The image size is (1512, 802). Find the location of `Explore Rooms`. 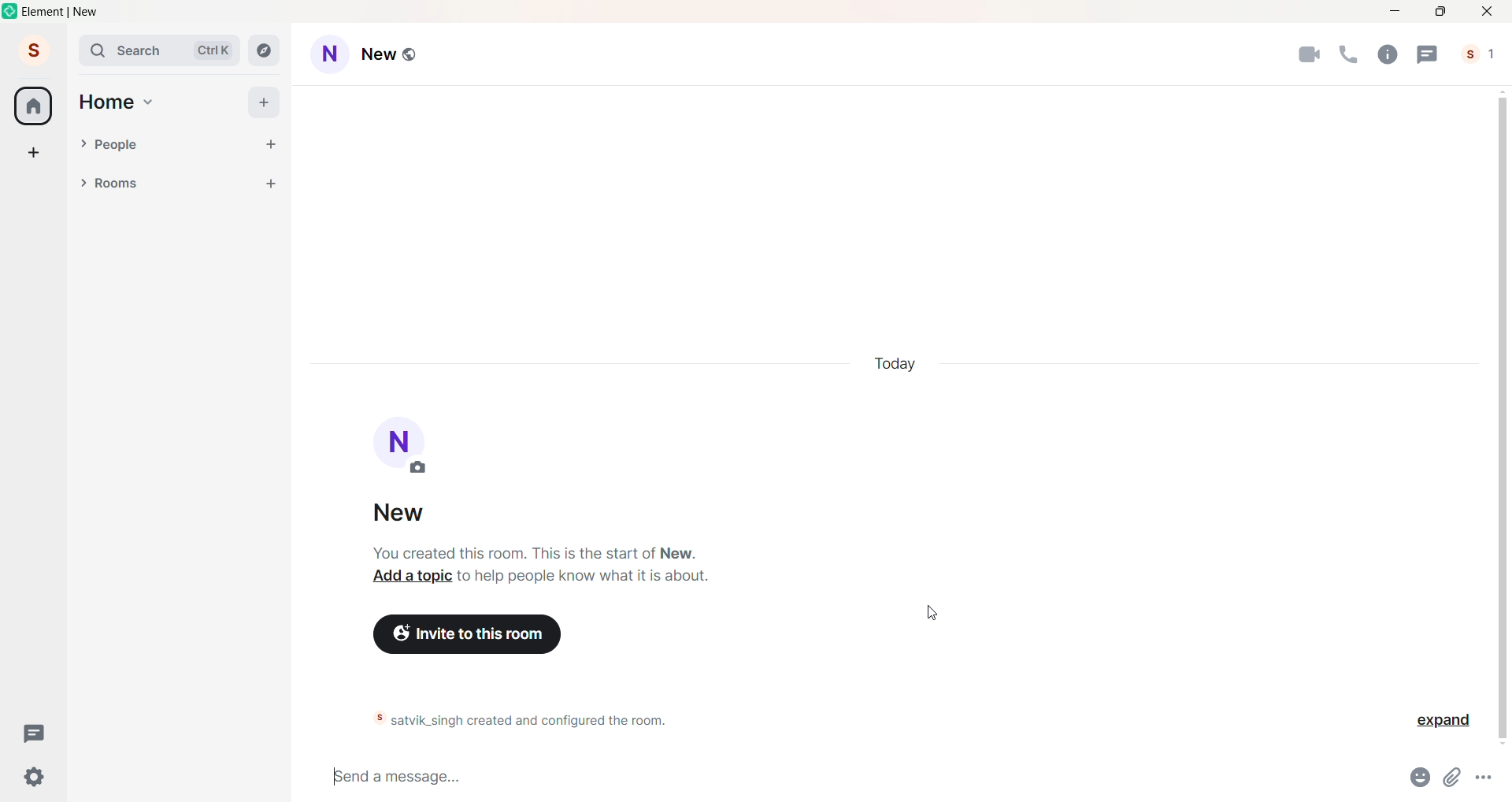

Explore Rooms is located at coordinates (265, 50).